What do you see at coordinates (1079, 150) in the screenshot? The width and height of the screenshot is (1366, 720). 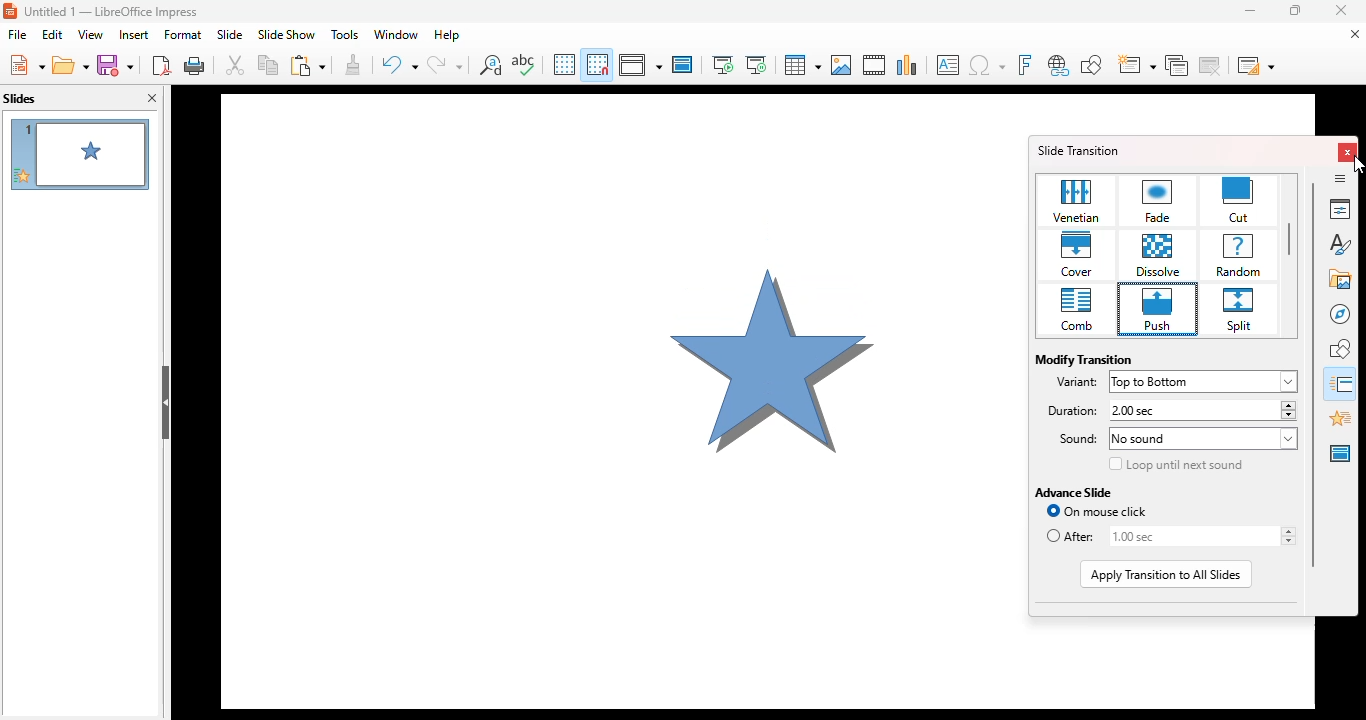 I see `slide transition` at bounding box center [1079, 150].